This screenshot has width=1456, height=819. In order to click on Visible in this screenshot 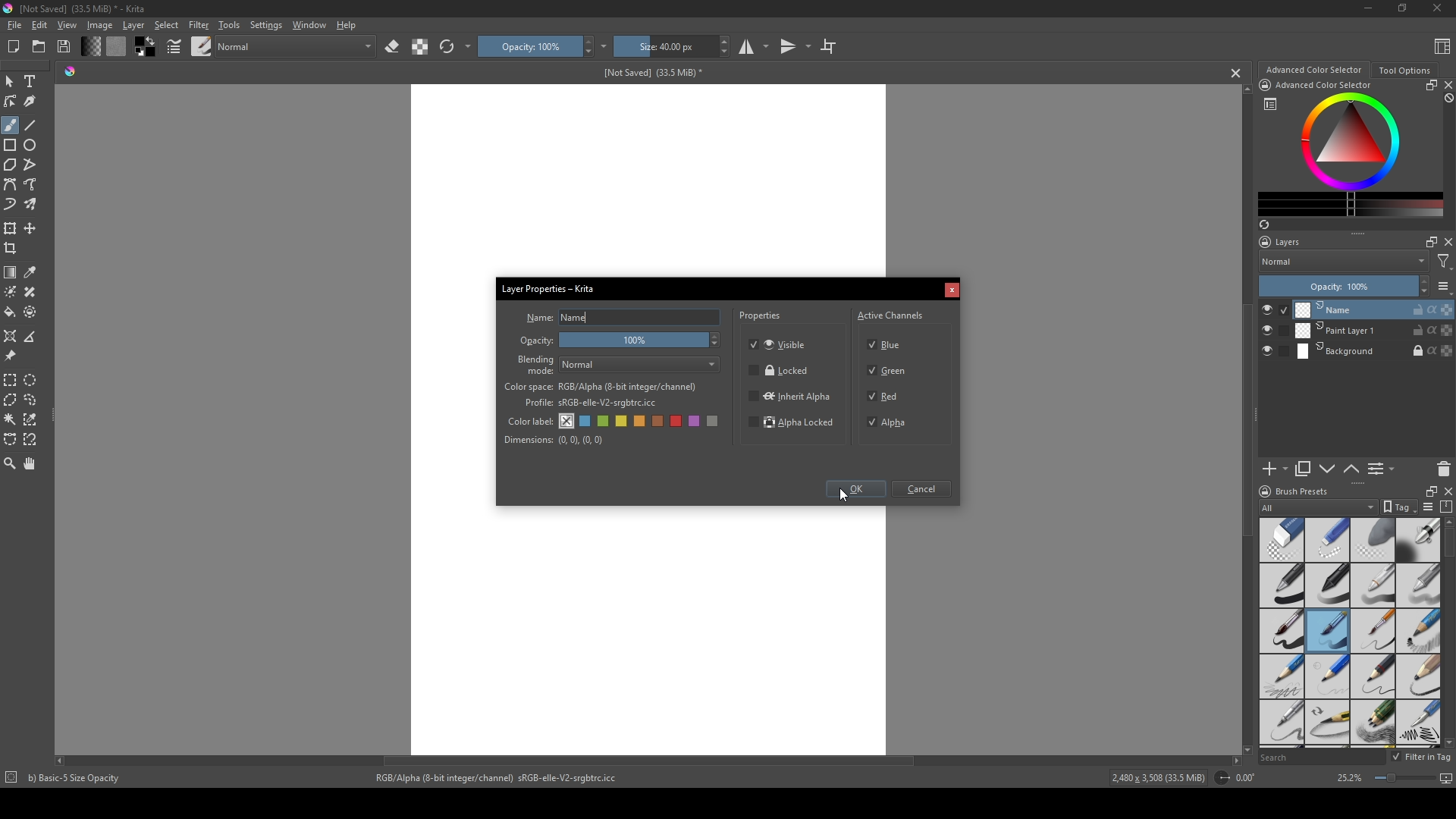, I will do `click(780, 344)`.